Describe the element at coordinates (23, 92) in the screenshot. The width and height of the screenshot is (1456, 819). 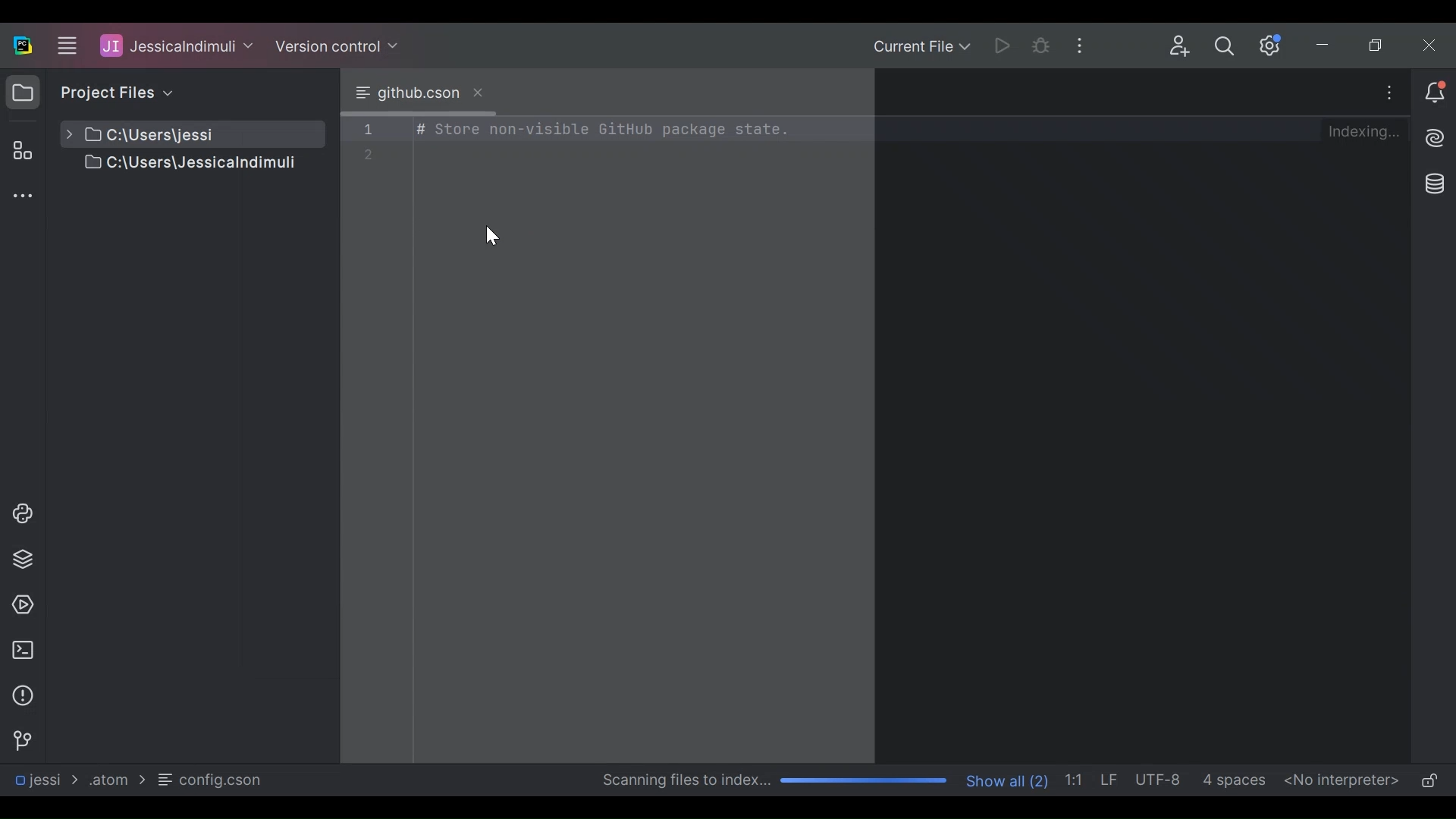
I see `Project View` at that location.